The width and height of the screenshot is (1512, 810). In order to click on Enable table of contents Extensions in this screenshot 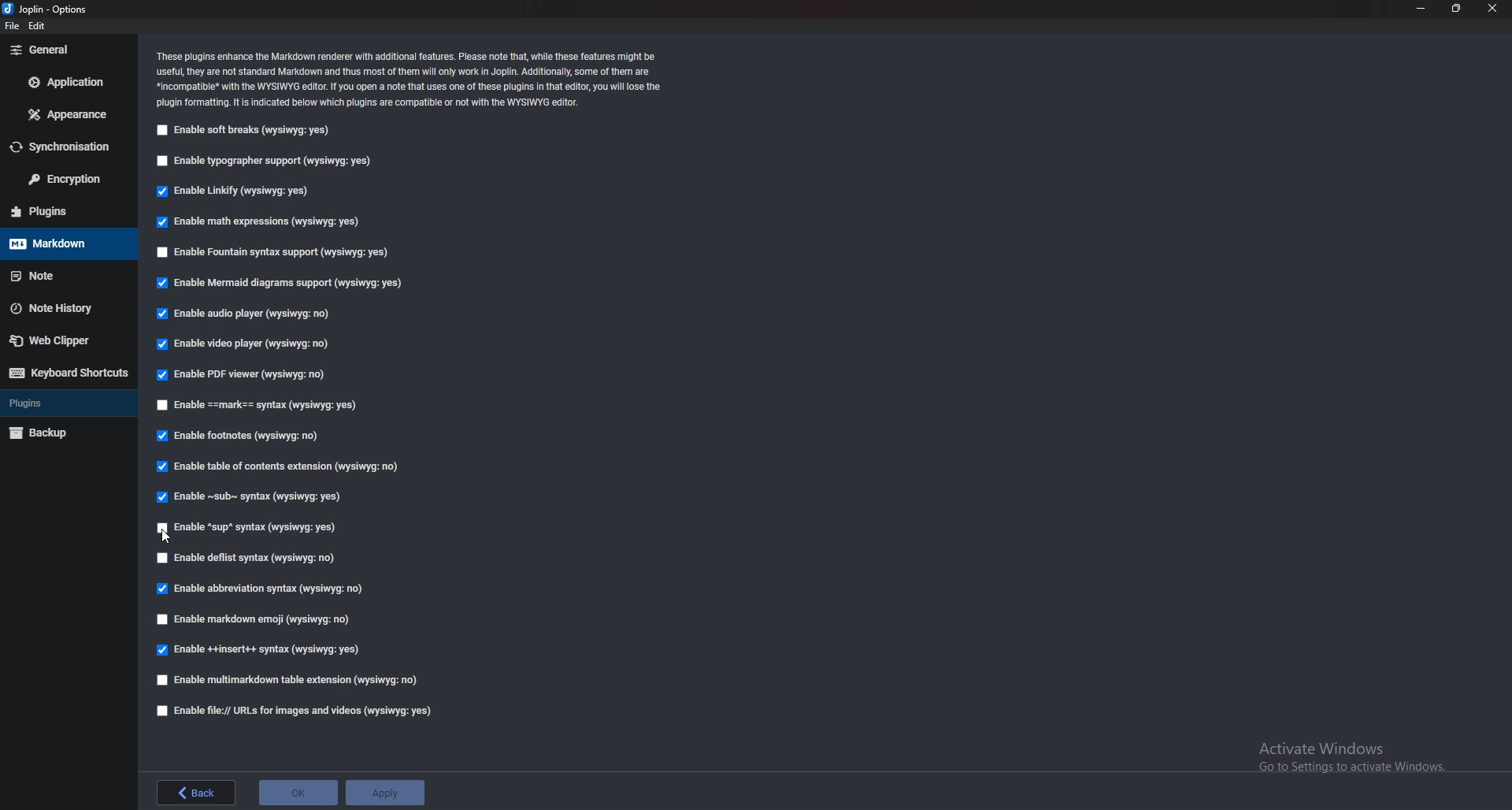, I will do `click(280, 466)`.